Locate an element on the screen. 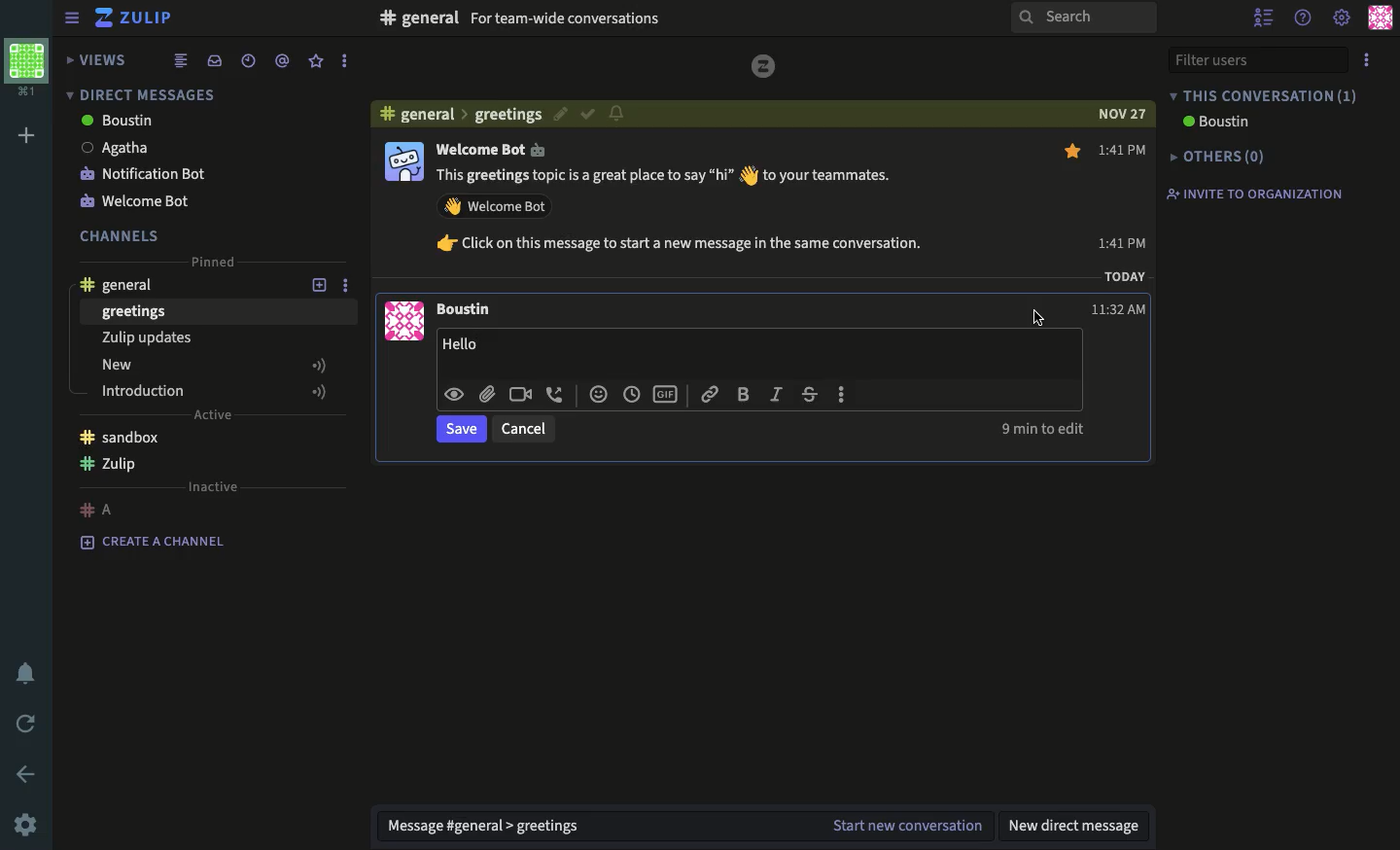 The height and width of the screenshot is (850, 1400). 1:41 PM is located at coordinates (1124, 195).